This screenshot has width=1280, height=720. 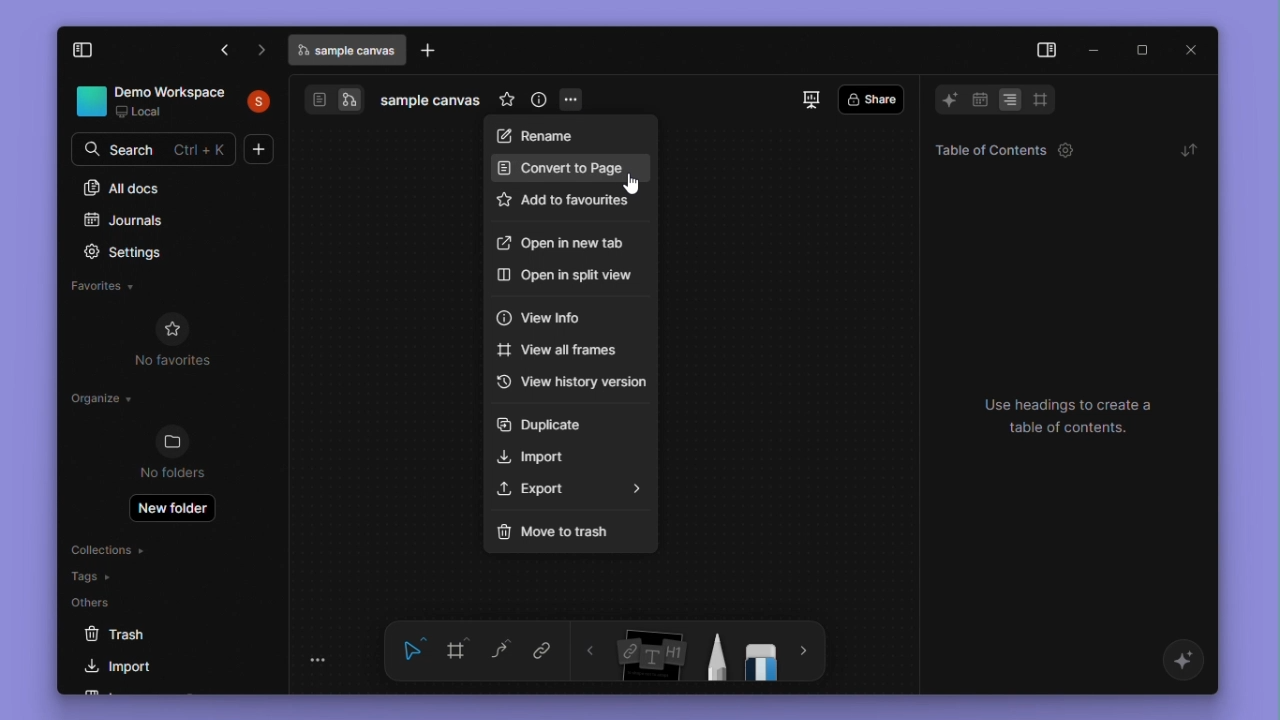 What do you see at coordinates (563, 133) in the screenshot?
I see `Rename` at bounding box center [563, 133].